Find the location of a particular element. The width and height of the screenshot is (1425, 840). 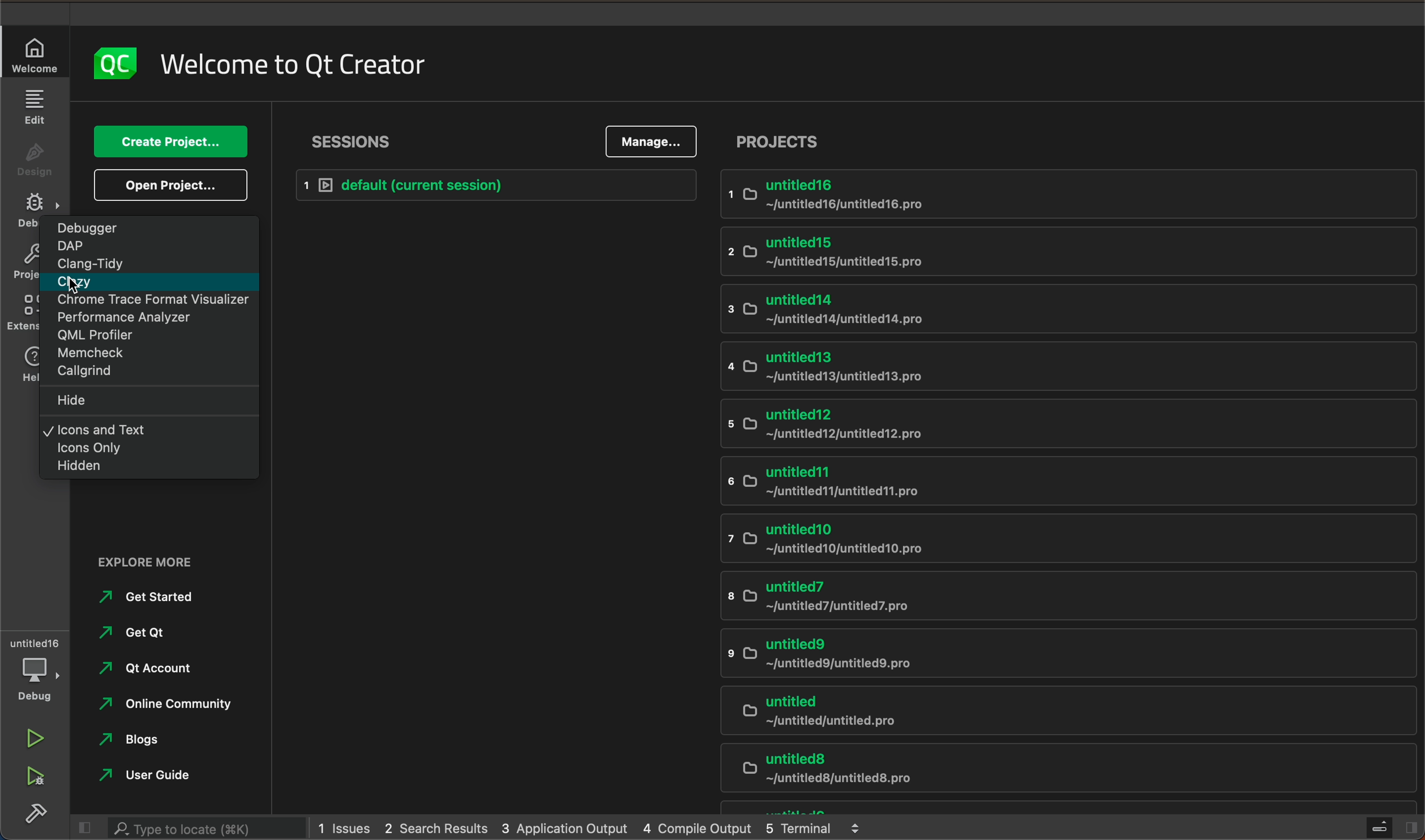

account is located at coordinates (152, 671).